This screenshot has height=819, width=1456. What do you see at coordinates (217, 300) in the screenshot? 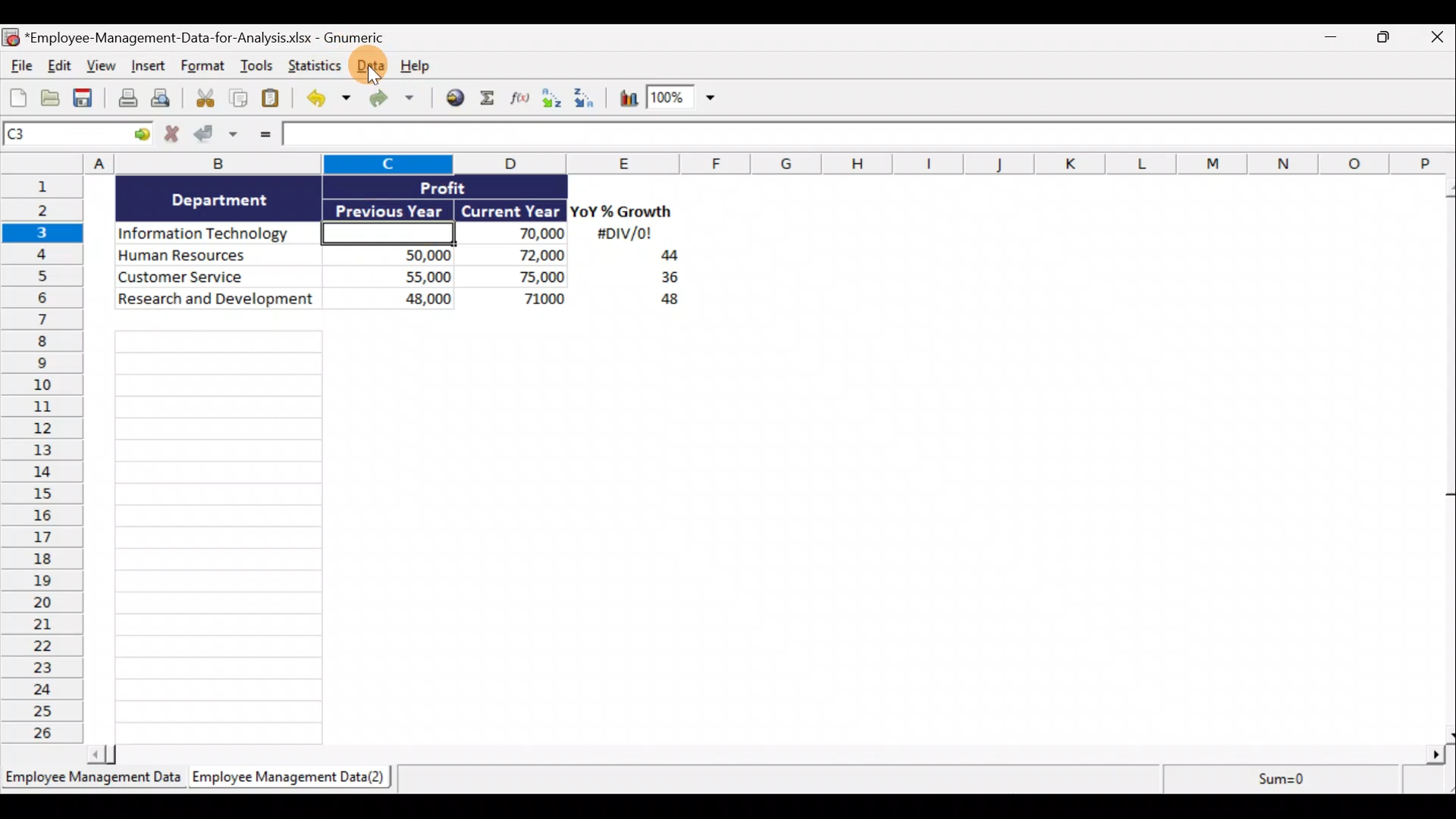
I see `Research and development` at bounding box center [217, 300].